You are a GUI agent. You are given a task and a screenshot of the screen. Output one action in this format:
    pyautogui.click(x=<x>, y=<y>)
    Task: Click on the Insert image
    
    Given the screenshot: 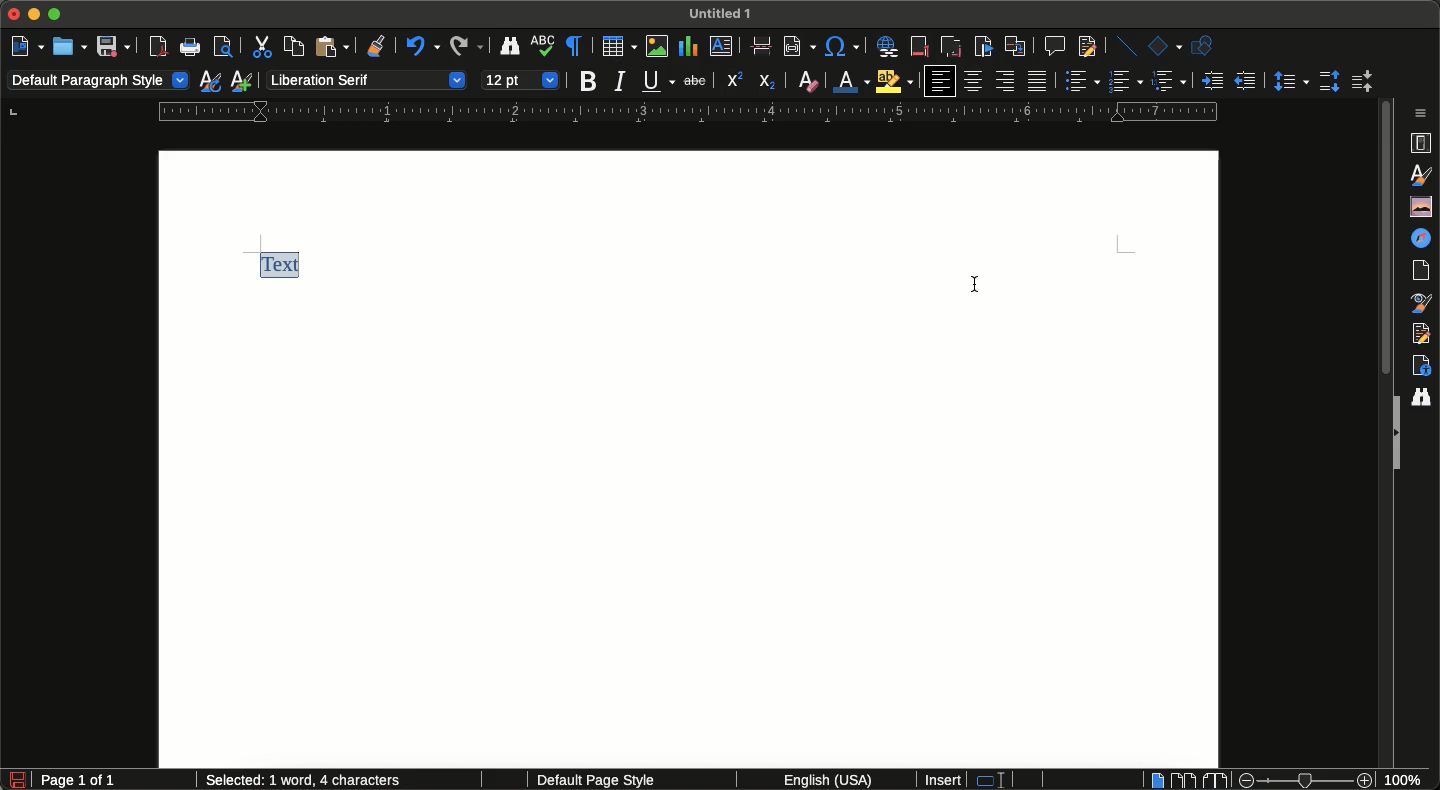 What is the action you would take?
    pyautogui.click(x=658, y=46)
    